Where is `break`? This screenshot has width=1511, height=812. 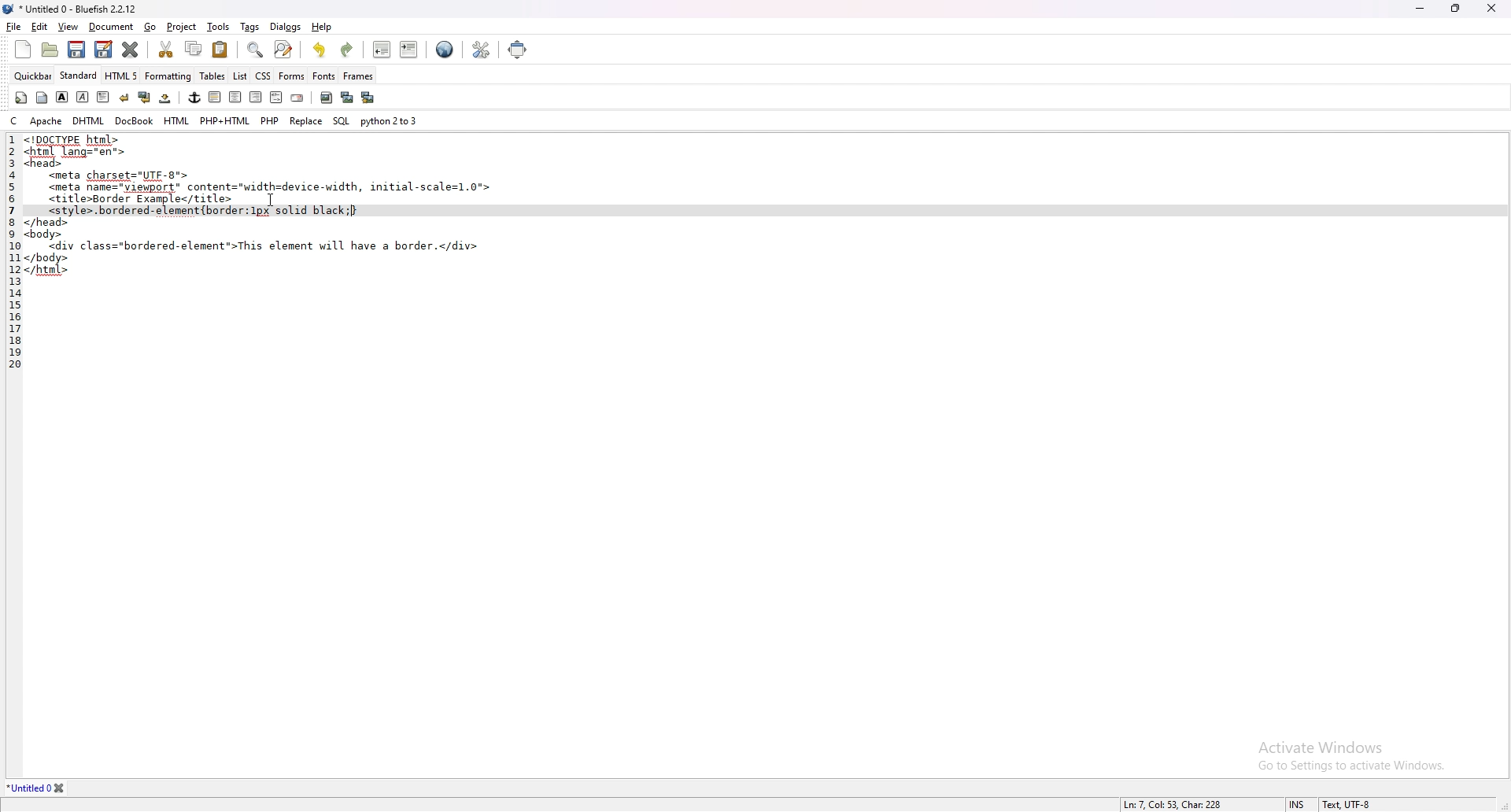 break is located at coordinates (124, 98).